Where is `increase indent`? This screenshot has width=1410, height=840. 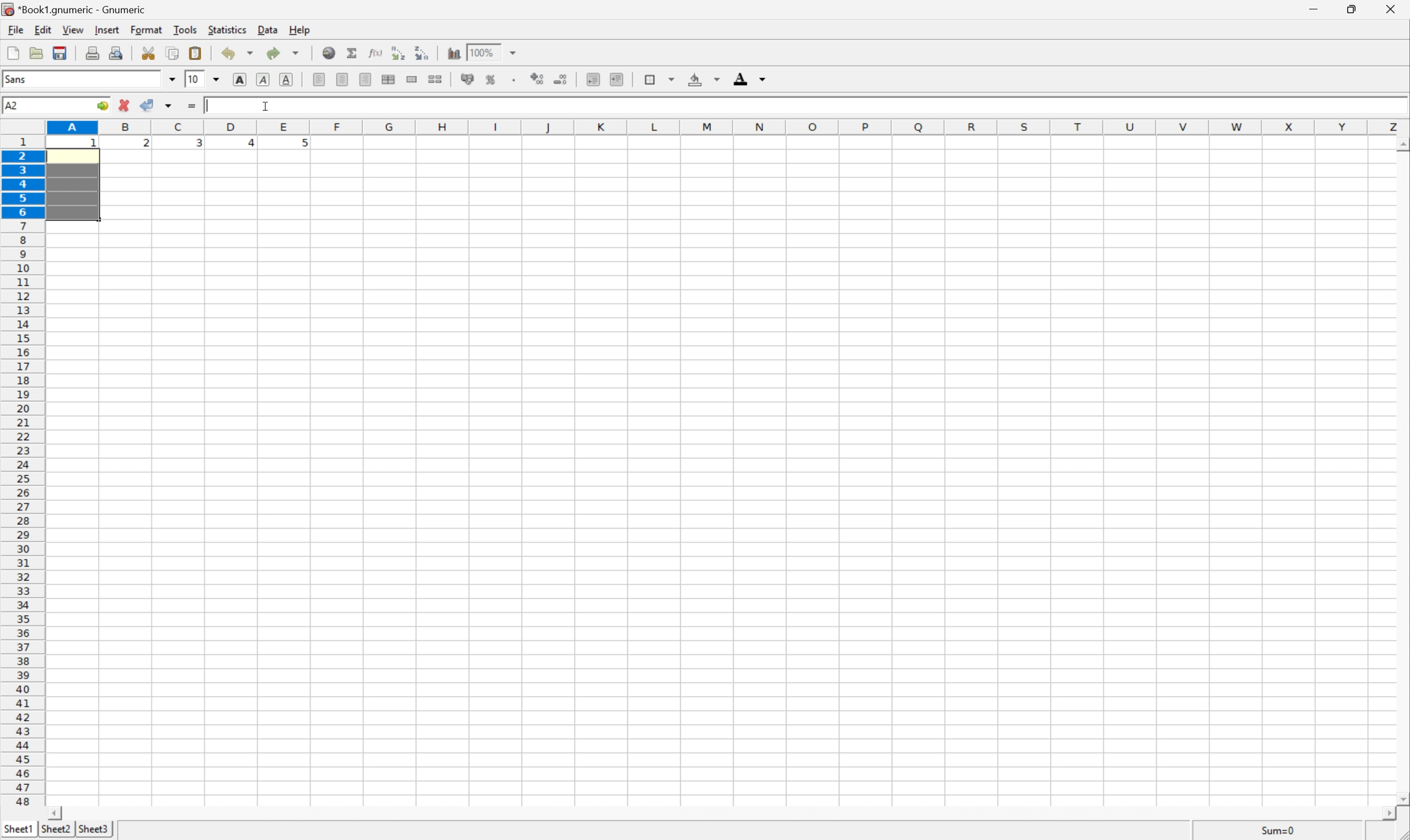 increase indent is located at coordinates (615, 79).